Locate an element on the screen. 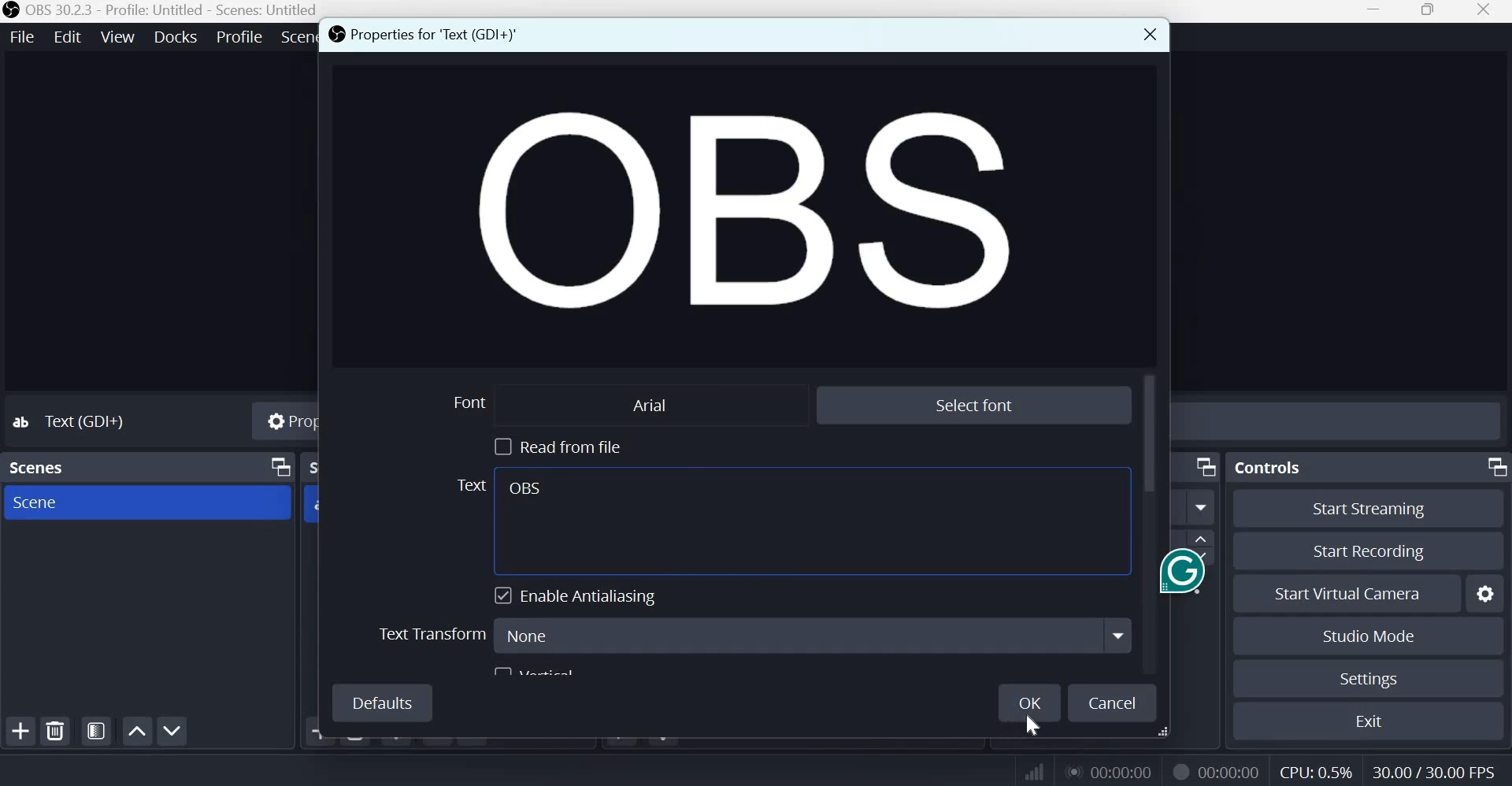  Cancel is located at coordinates (1114, 705).